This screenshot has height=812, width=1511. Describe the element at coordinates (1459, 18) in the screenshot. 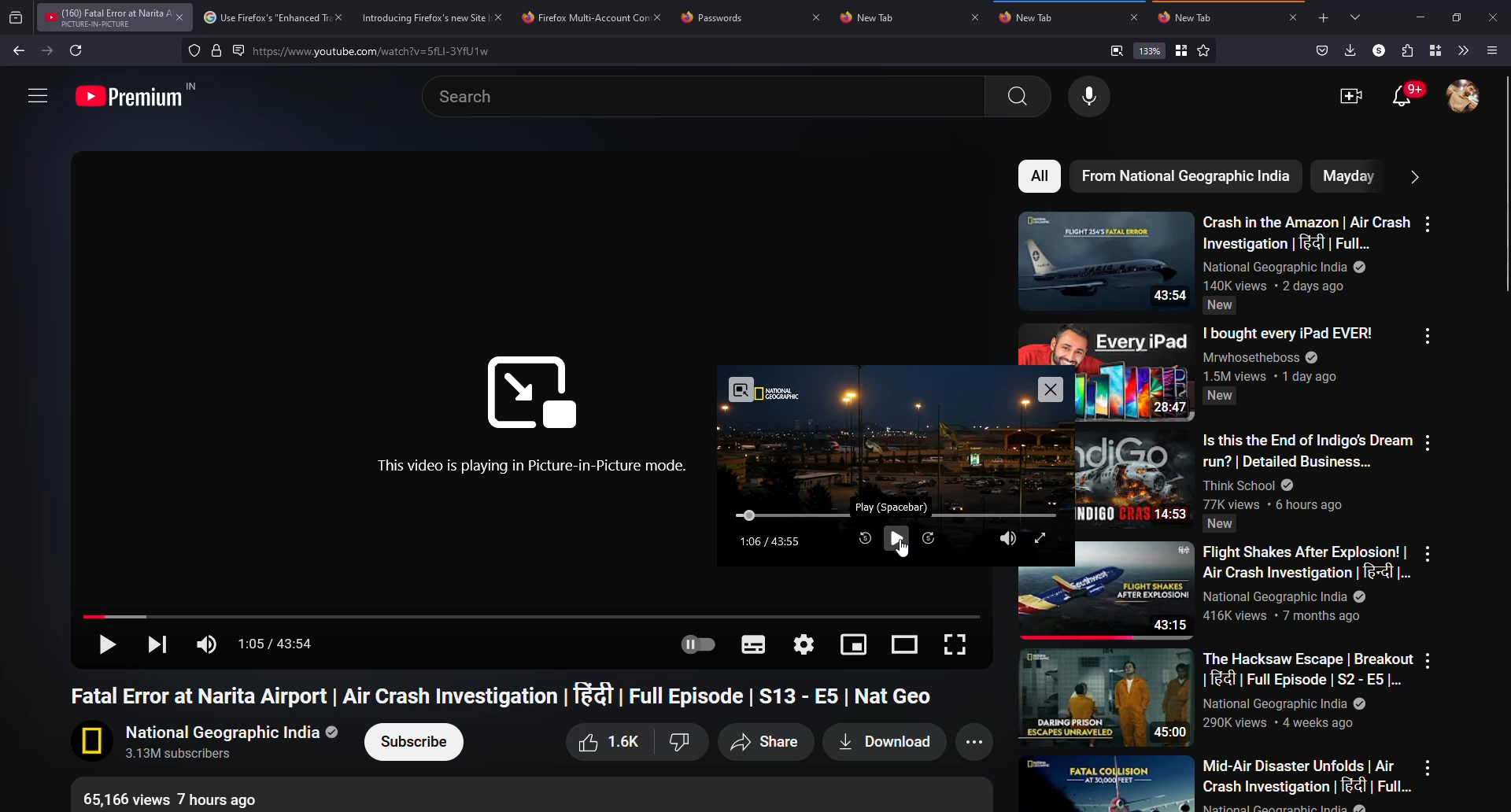

I see `maximize` at that location.